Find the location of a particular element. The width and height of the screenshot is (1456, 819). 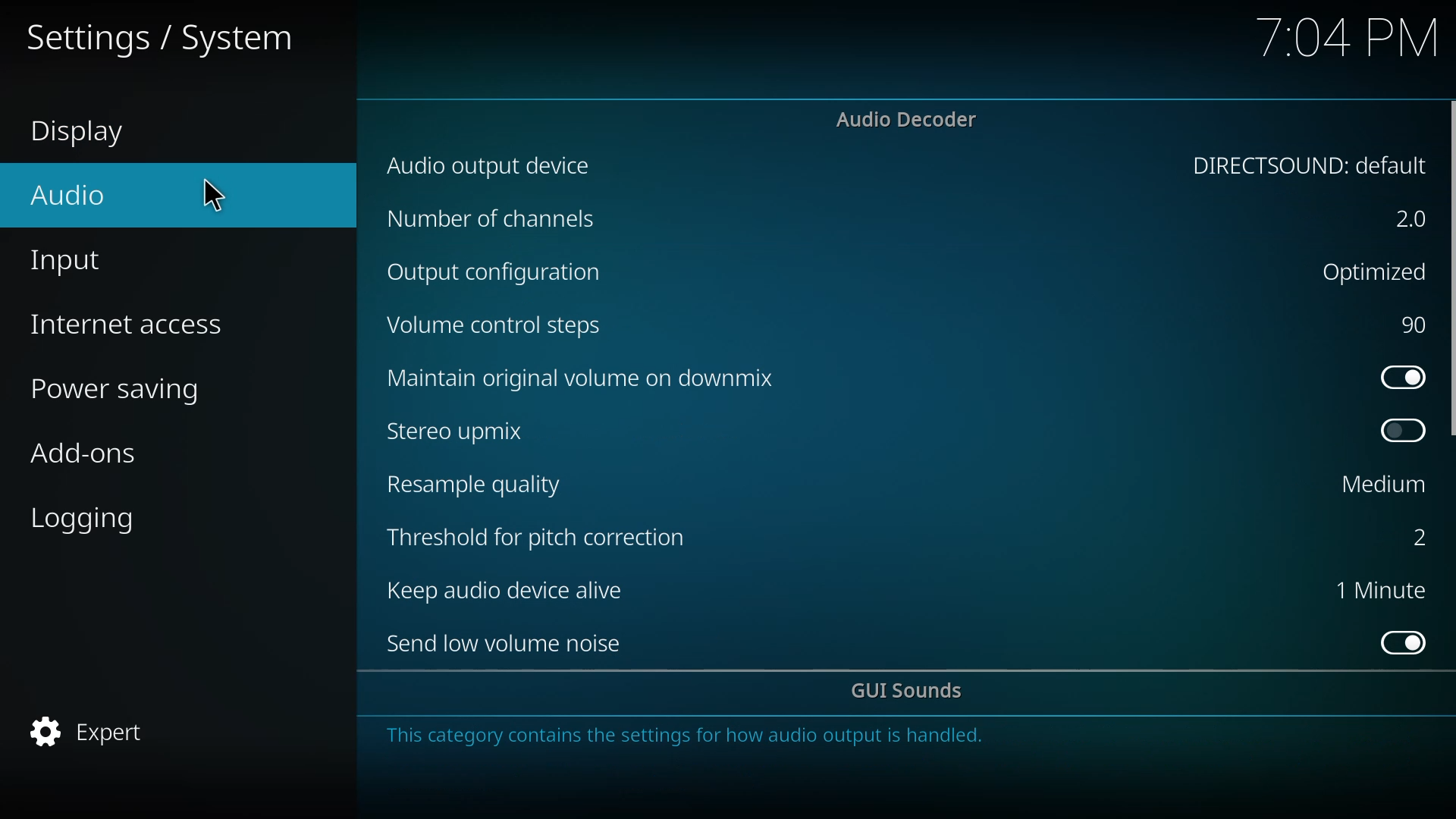

enable is located at coordinates (1404, 430).